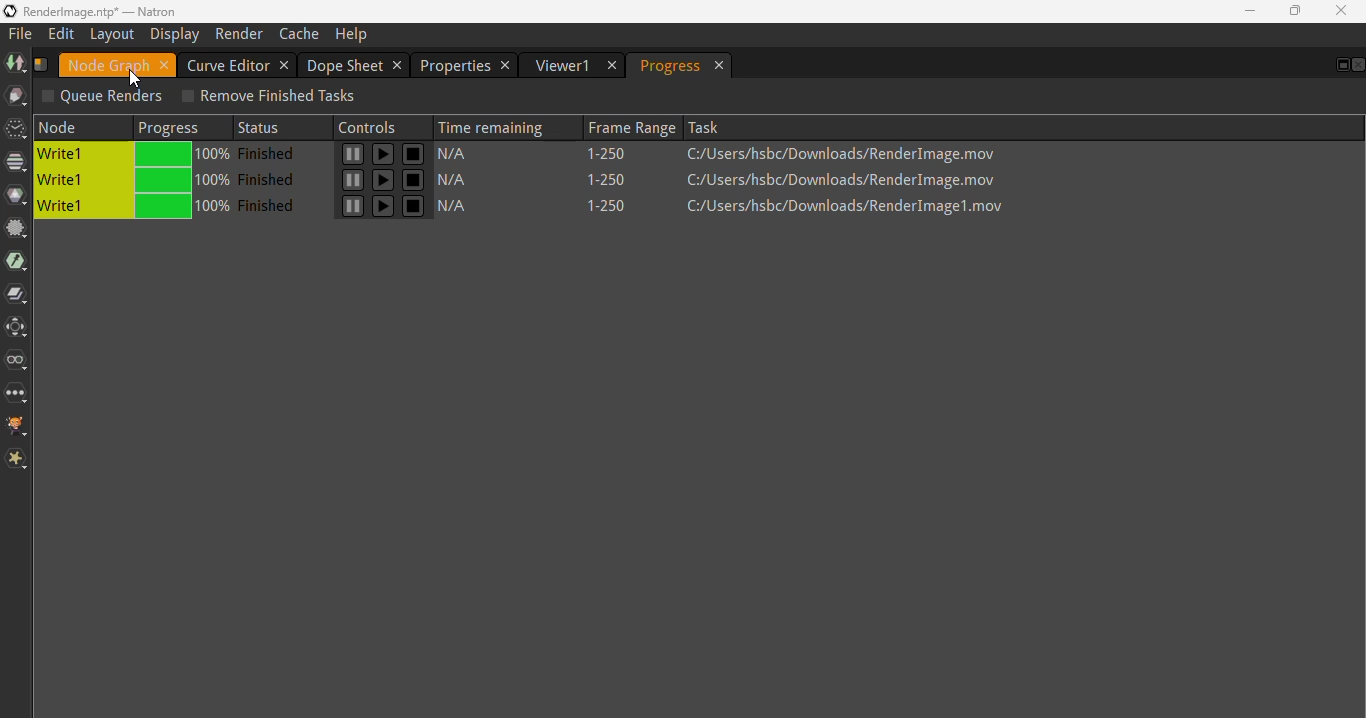  What do you see at coordinates (1357, 65) in the screenshot?
I see `close pane` at bounding box center [1357, 65].